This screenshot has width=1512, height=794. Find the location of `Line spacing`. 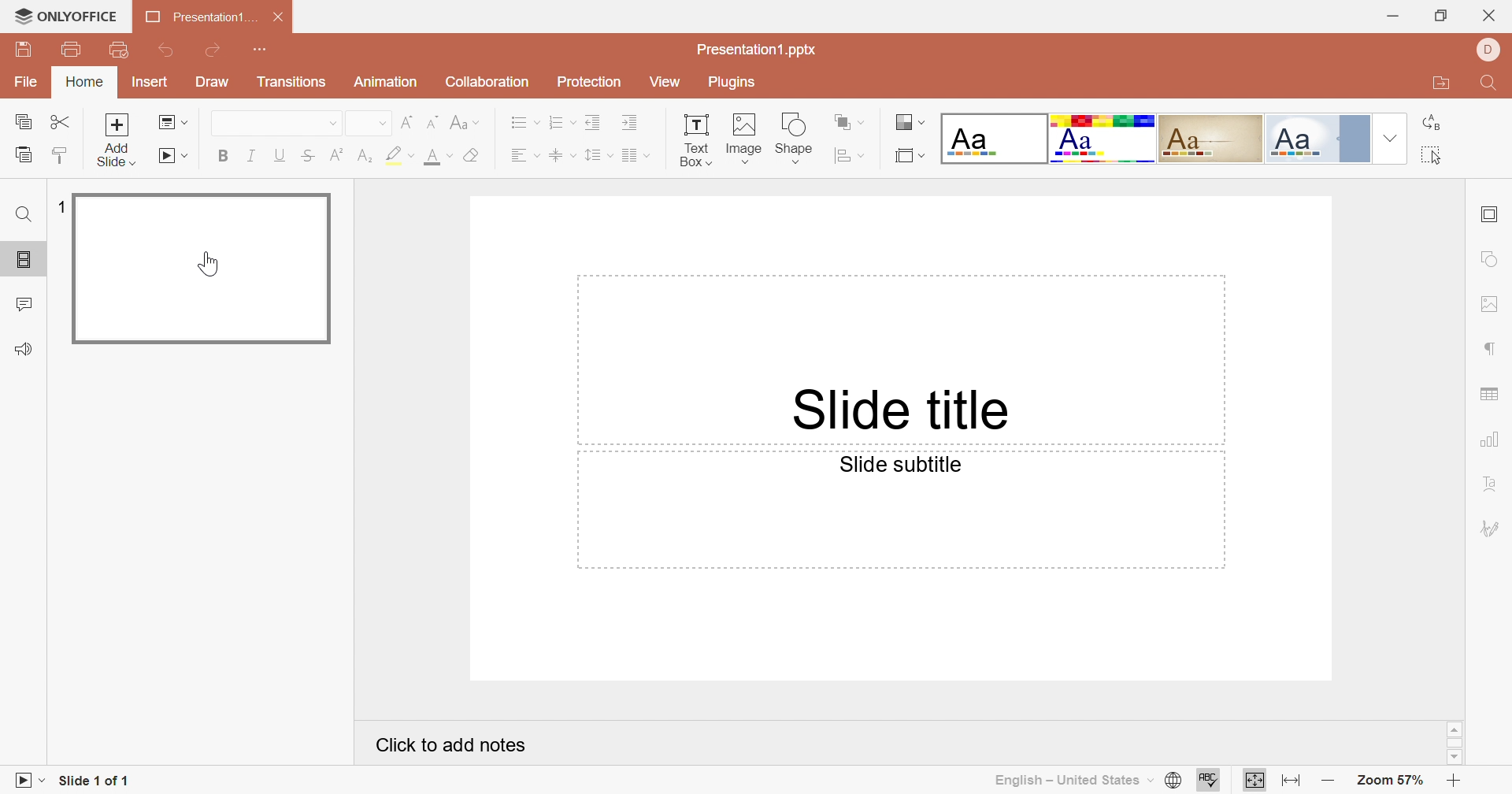

Line spacing is located at coordinates (597, 155).